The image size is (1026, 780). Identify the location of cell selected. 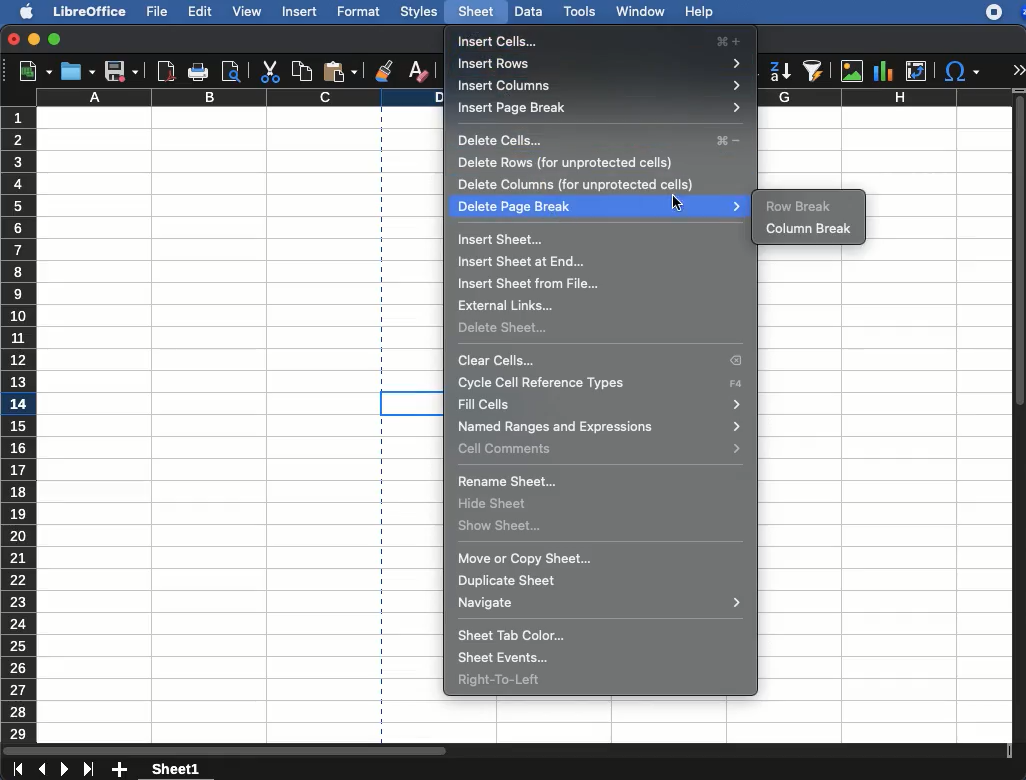
(410, 403).